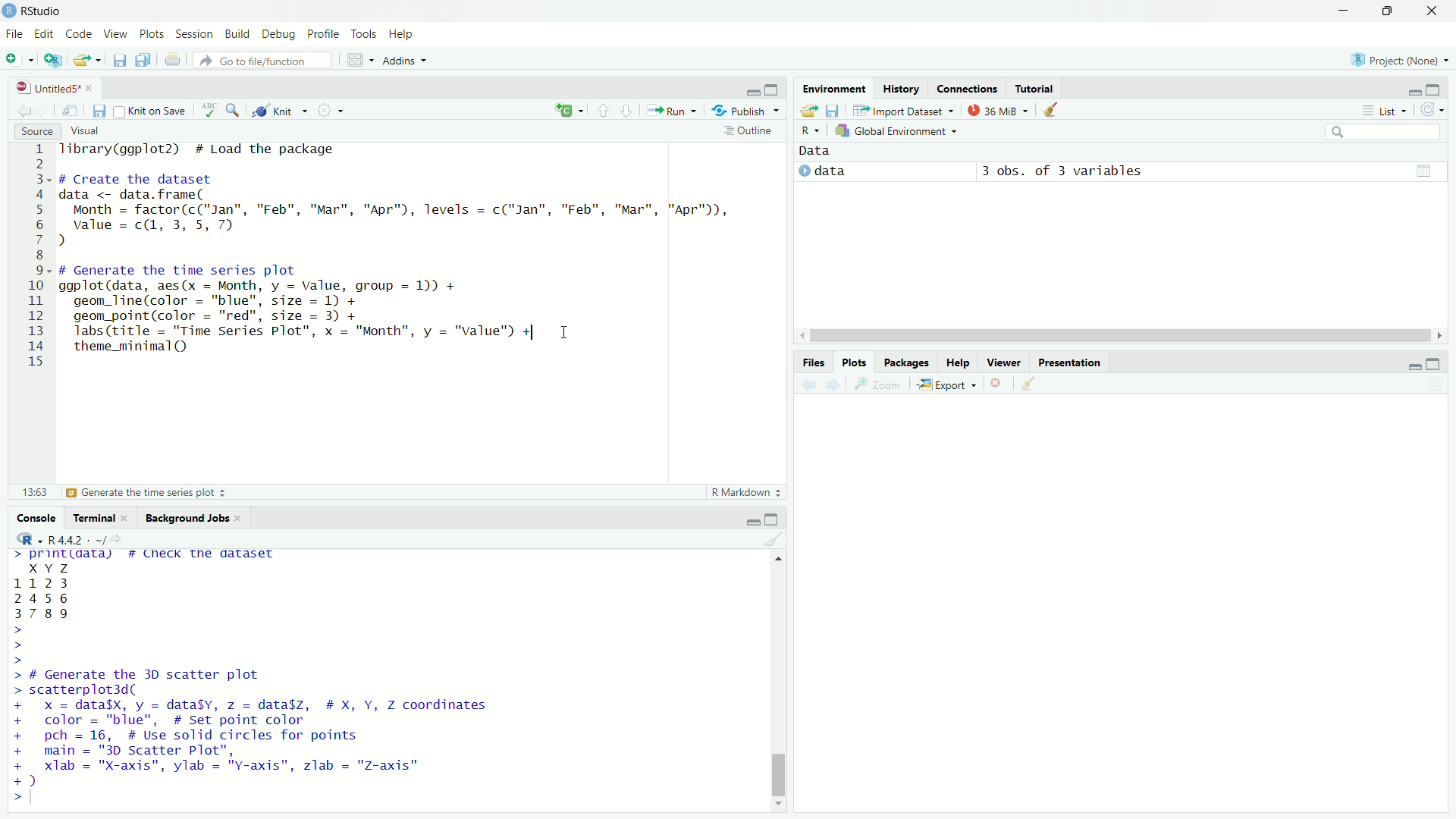  What do you see at coordinates (47, 111) in the screenshot?
I see `go forward to the next source location` at bounding box center [47, 111].